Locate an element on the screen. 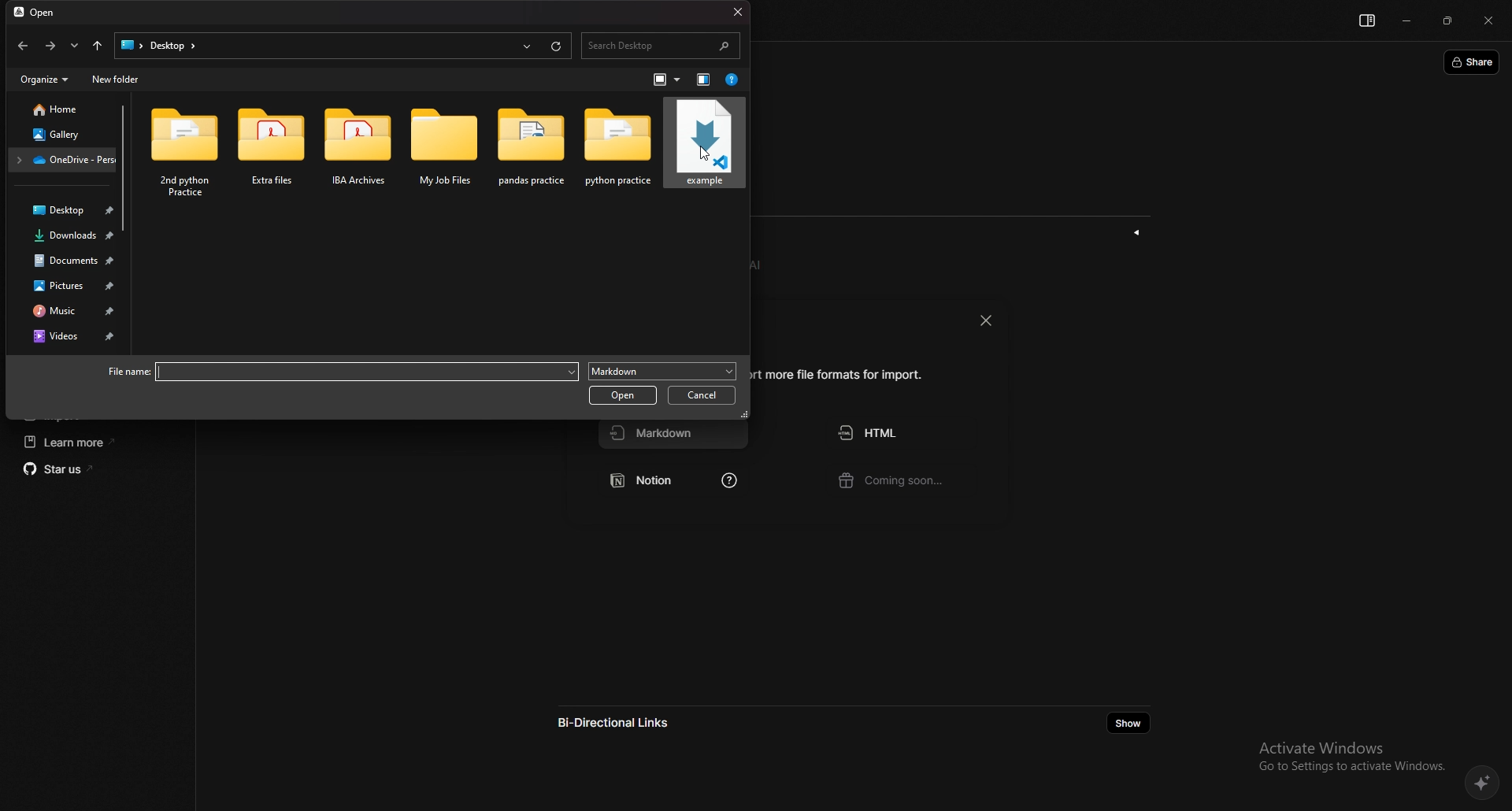 The width and height of the screenshot is (1512, 811). html is located at coordinates (904, 433).